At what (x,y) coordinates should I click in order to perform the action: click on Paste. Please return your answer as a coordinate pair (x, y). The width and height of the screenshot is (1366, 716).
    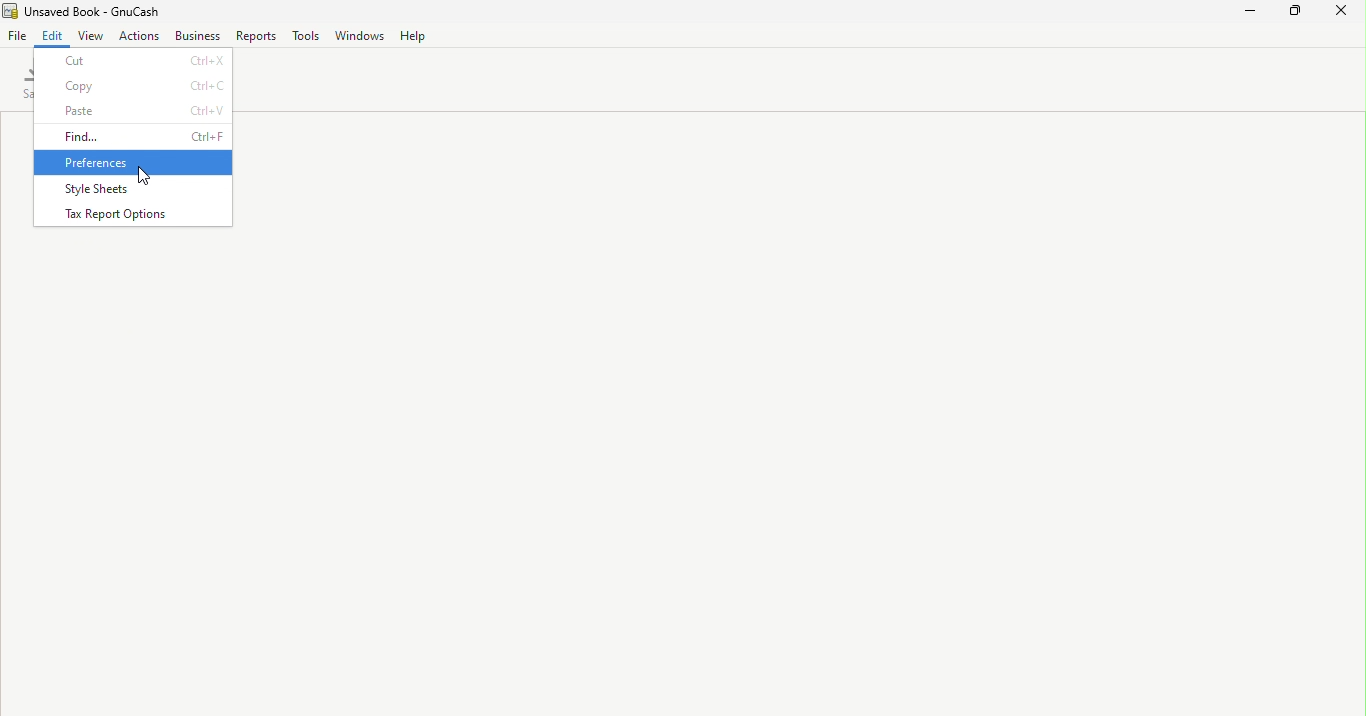
    Looking at the image, I should click on (134, 110).